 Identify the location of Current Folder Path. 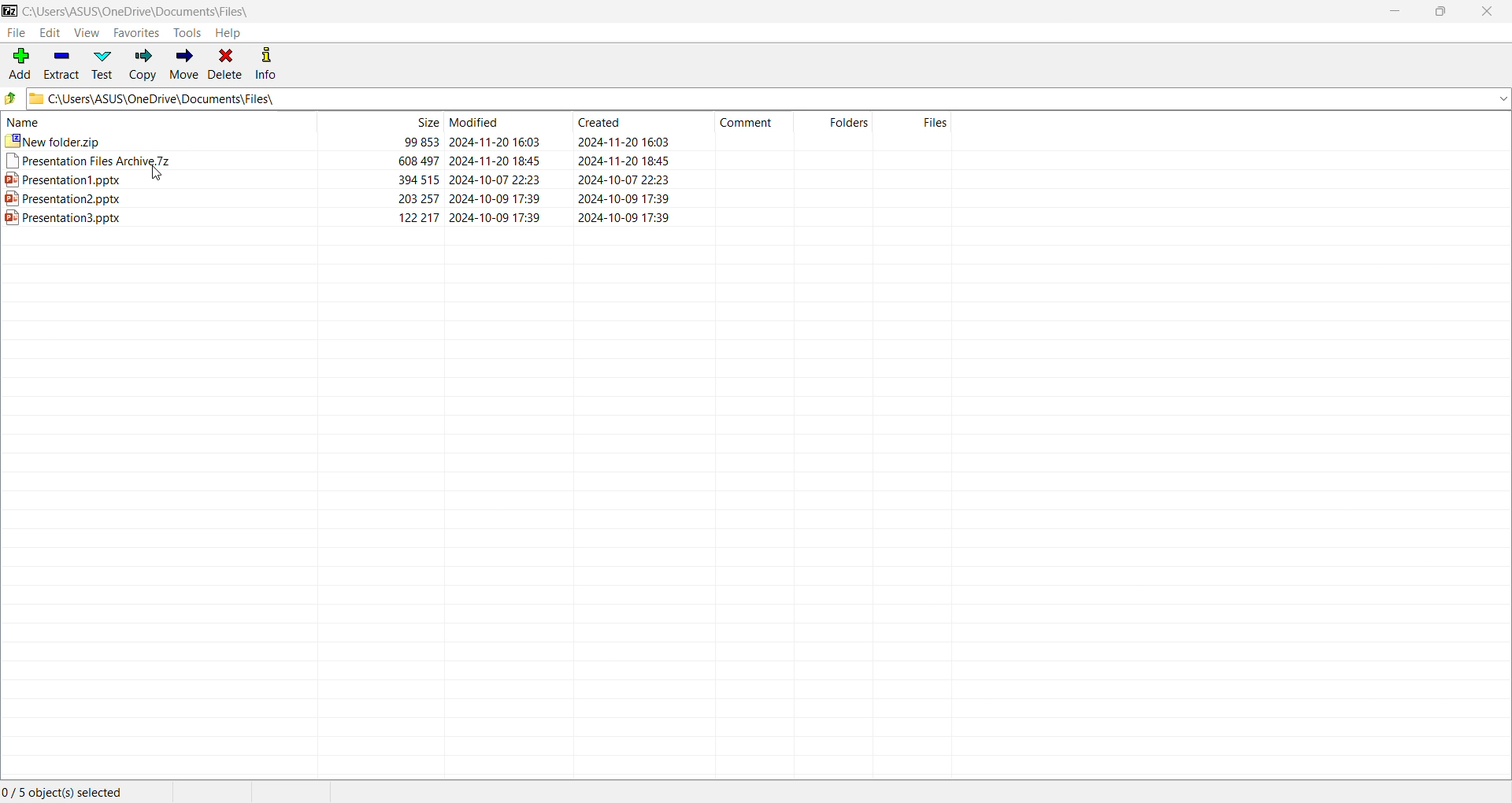
(139, 10).